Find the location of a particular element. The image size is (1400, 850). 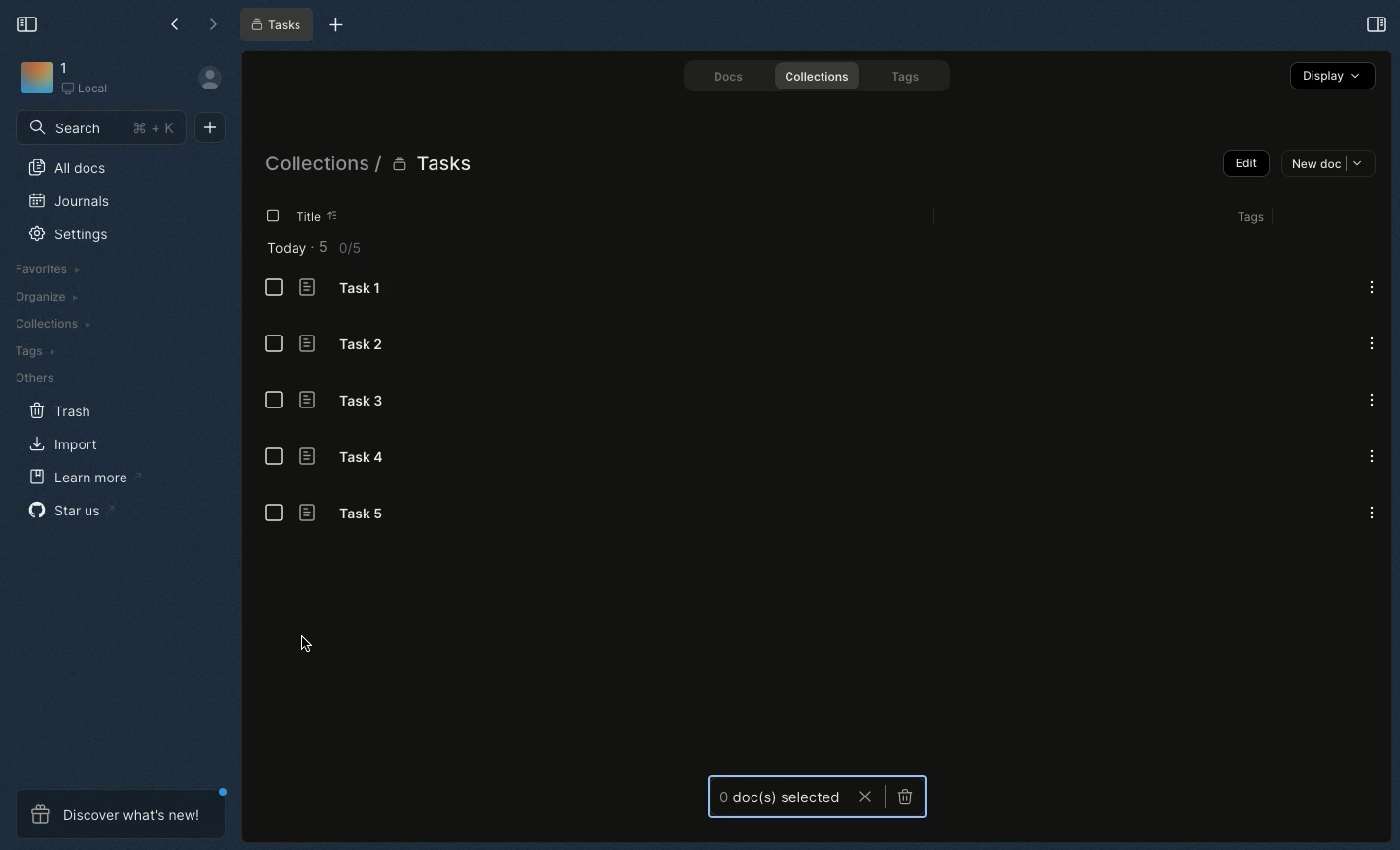

Workspace is located at coordinates (70, 83).